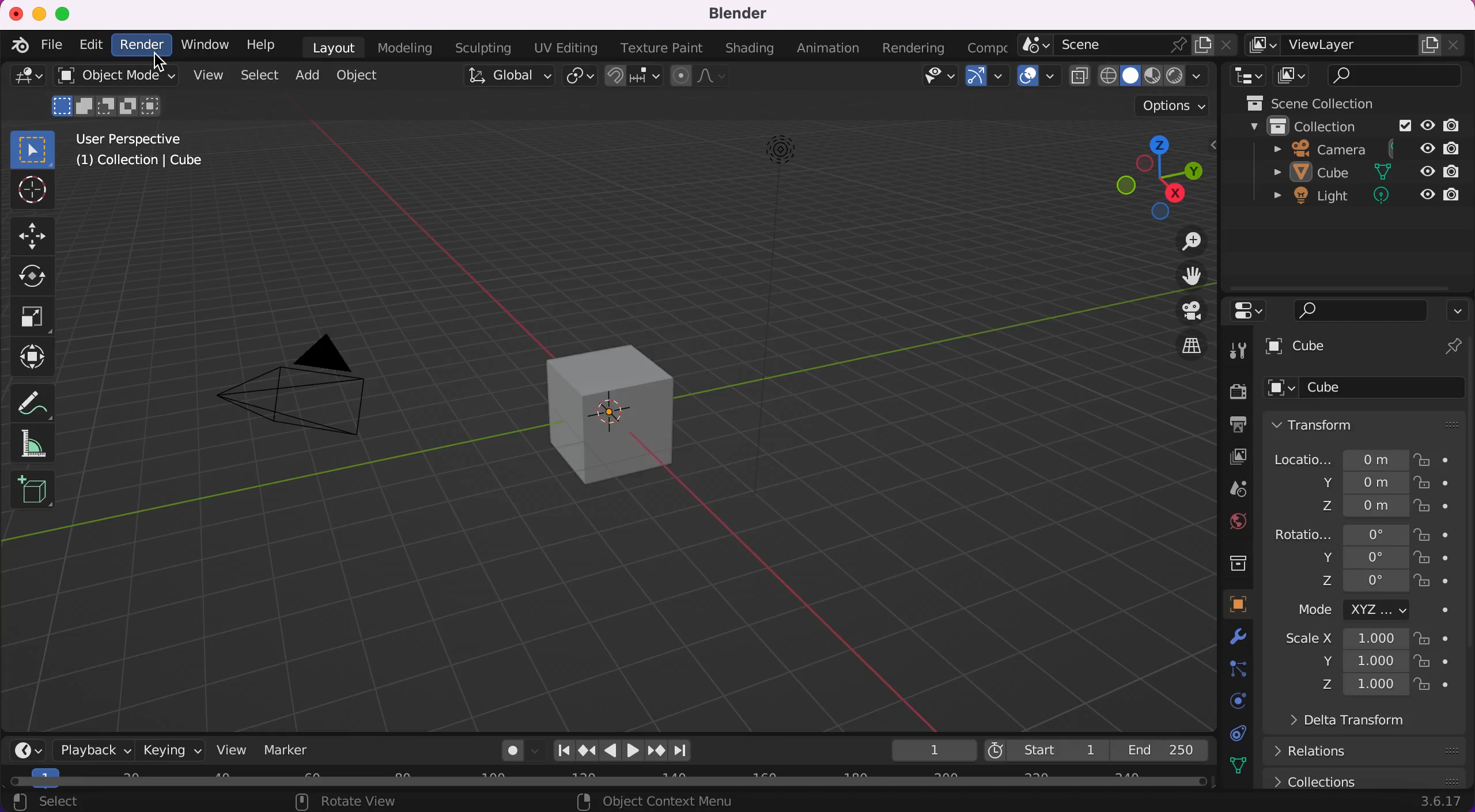  What do you see at coordinates (1365, 612) in the screenshot?
I see `mode xyz...` at bounding box center [1365, 612].